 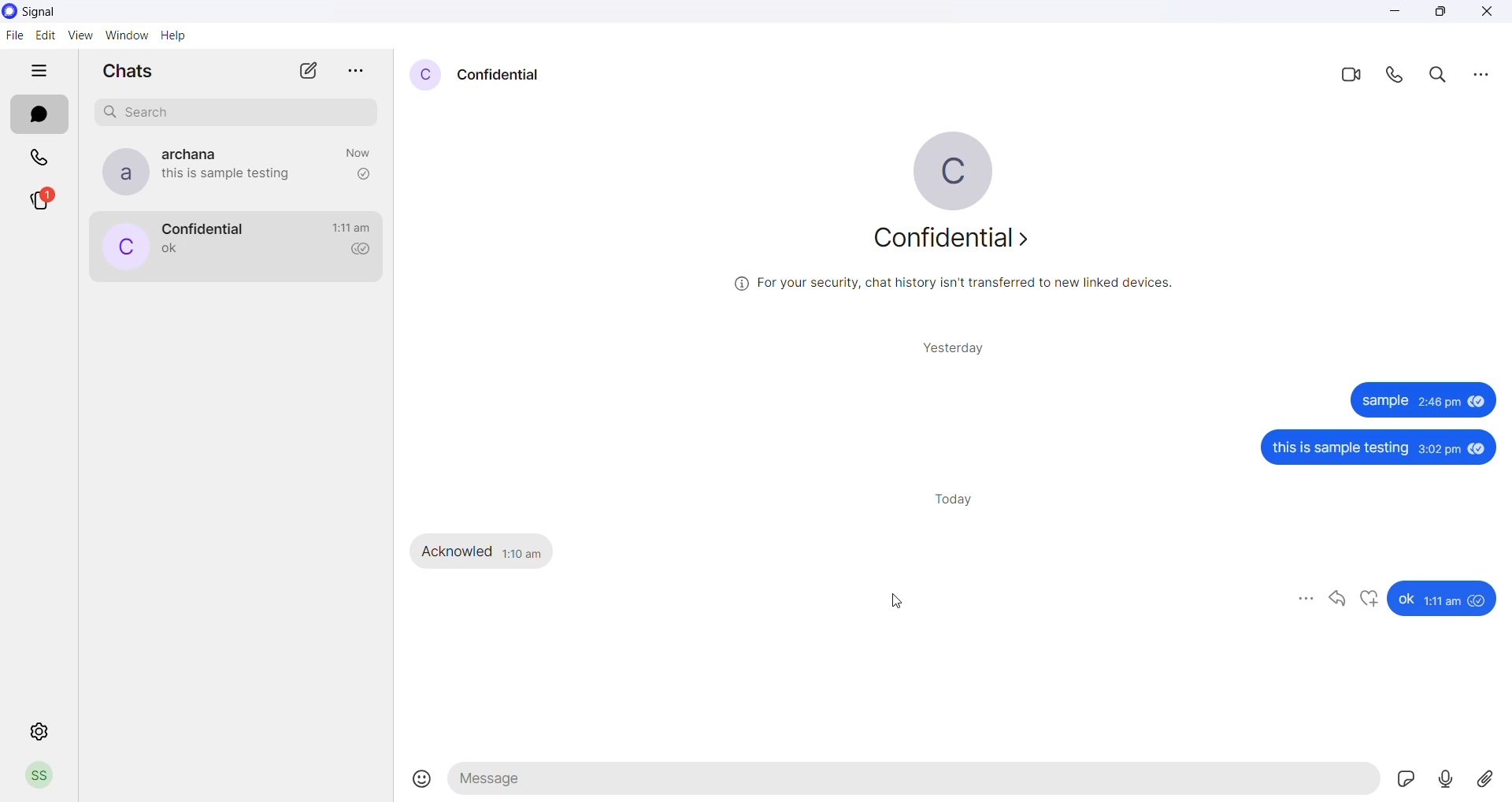 I want to click on 3:02 pm, so click(x=1440, y=451).